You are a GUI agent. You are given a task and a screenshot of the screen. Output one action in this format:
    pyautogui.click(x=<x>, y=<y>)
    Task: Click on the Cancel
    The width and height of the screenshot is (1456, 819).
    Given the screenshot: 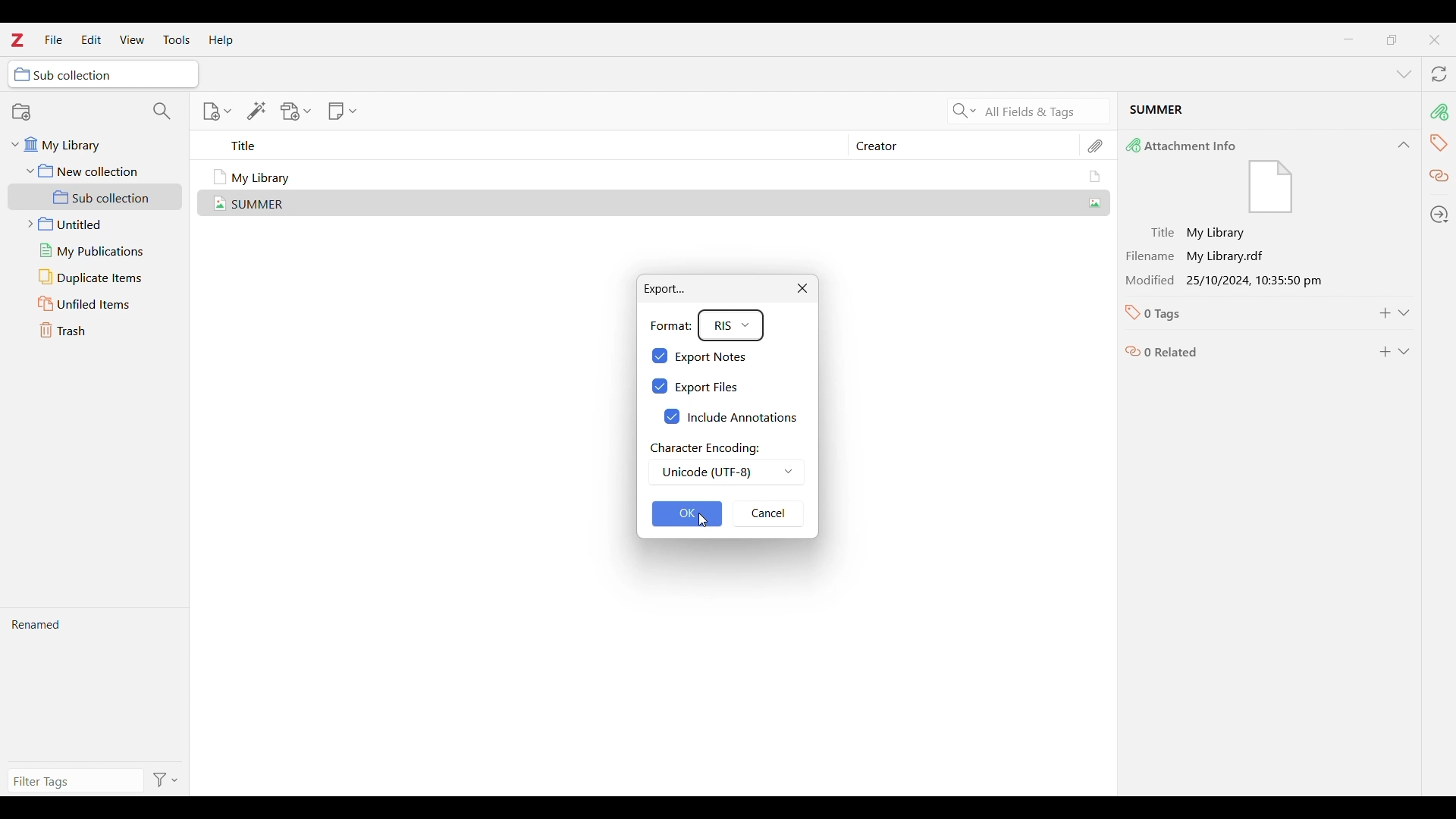 What is the action you would take?
    pyautogui.click(x=767, y=514)
    